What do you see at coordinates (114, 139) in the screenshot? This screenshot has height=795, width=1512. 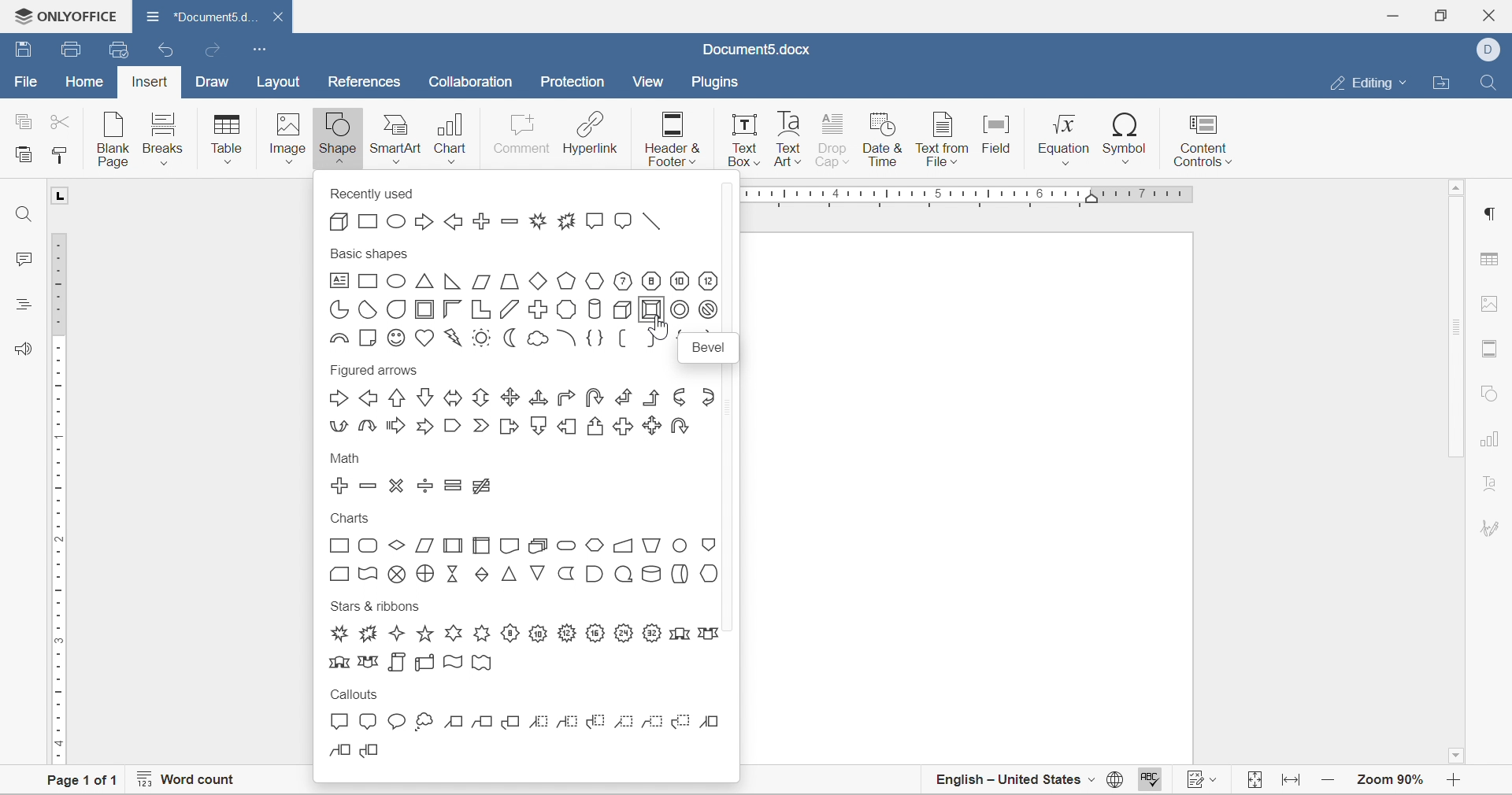 I see `blank page` at bounding box center [114, 139].